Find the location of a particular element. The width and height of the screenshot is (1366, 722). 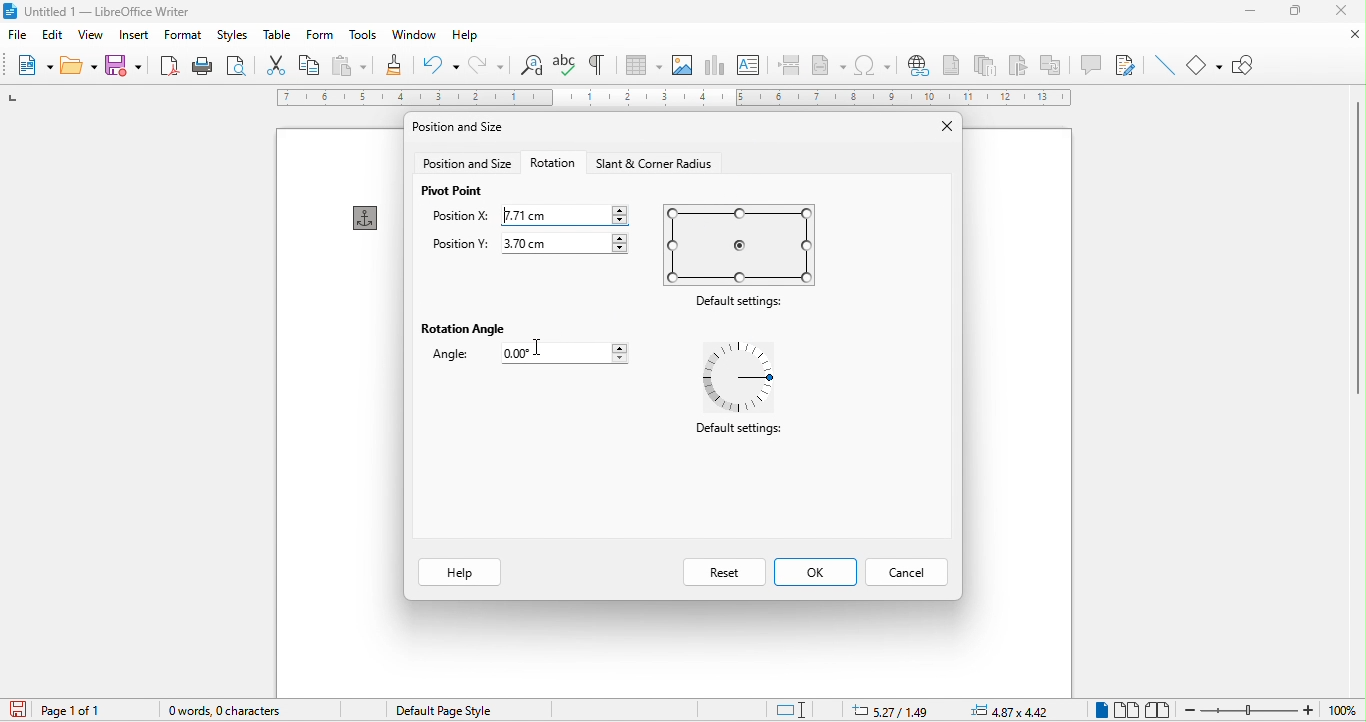

close is located at coordinates (1352, 35).